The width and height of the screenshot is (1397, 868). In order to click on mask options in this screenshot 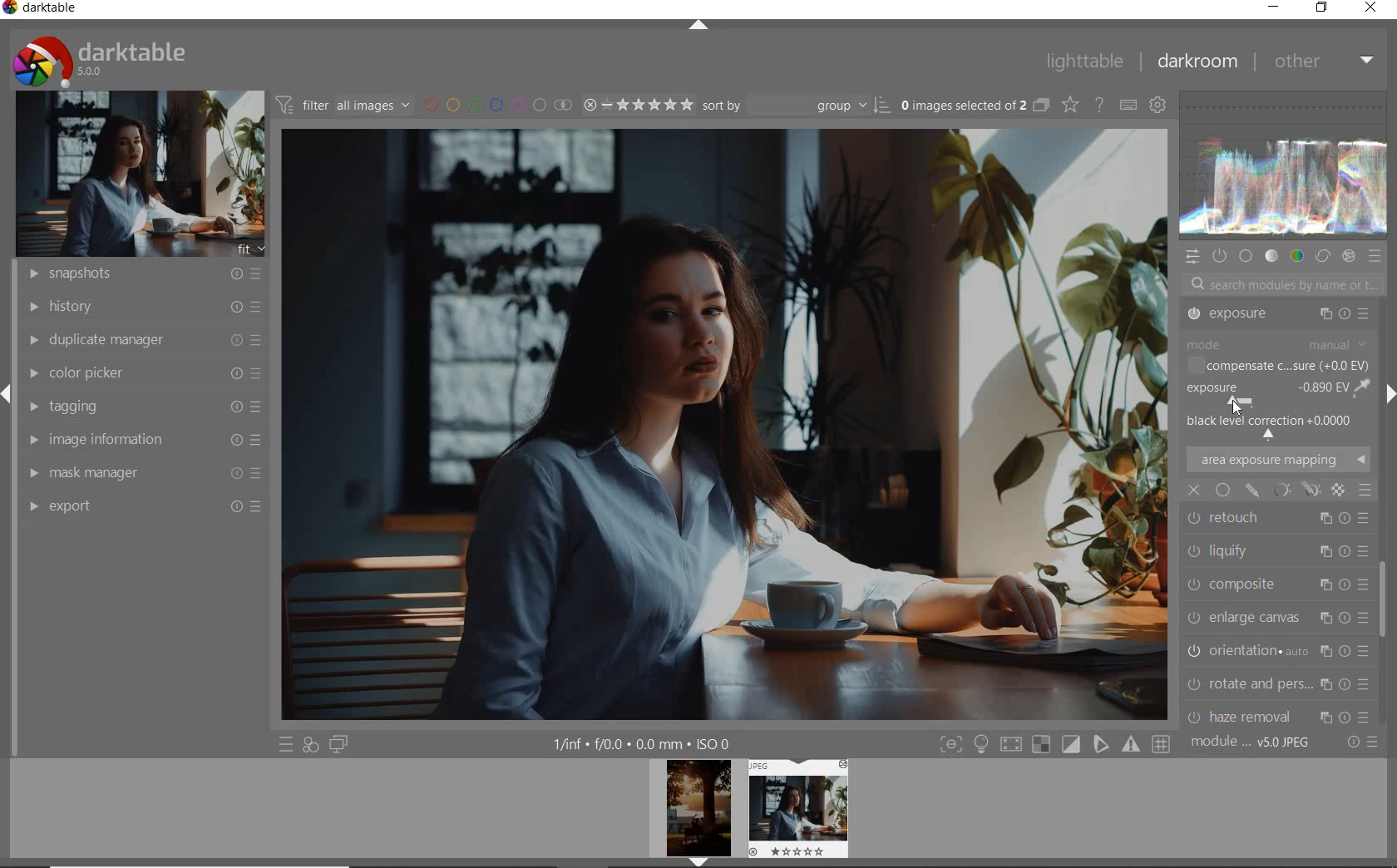, I will do `click(1294, 489)`.